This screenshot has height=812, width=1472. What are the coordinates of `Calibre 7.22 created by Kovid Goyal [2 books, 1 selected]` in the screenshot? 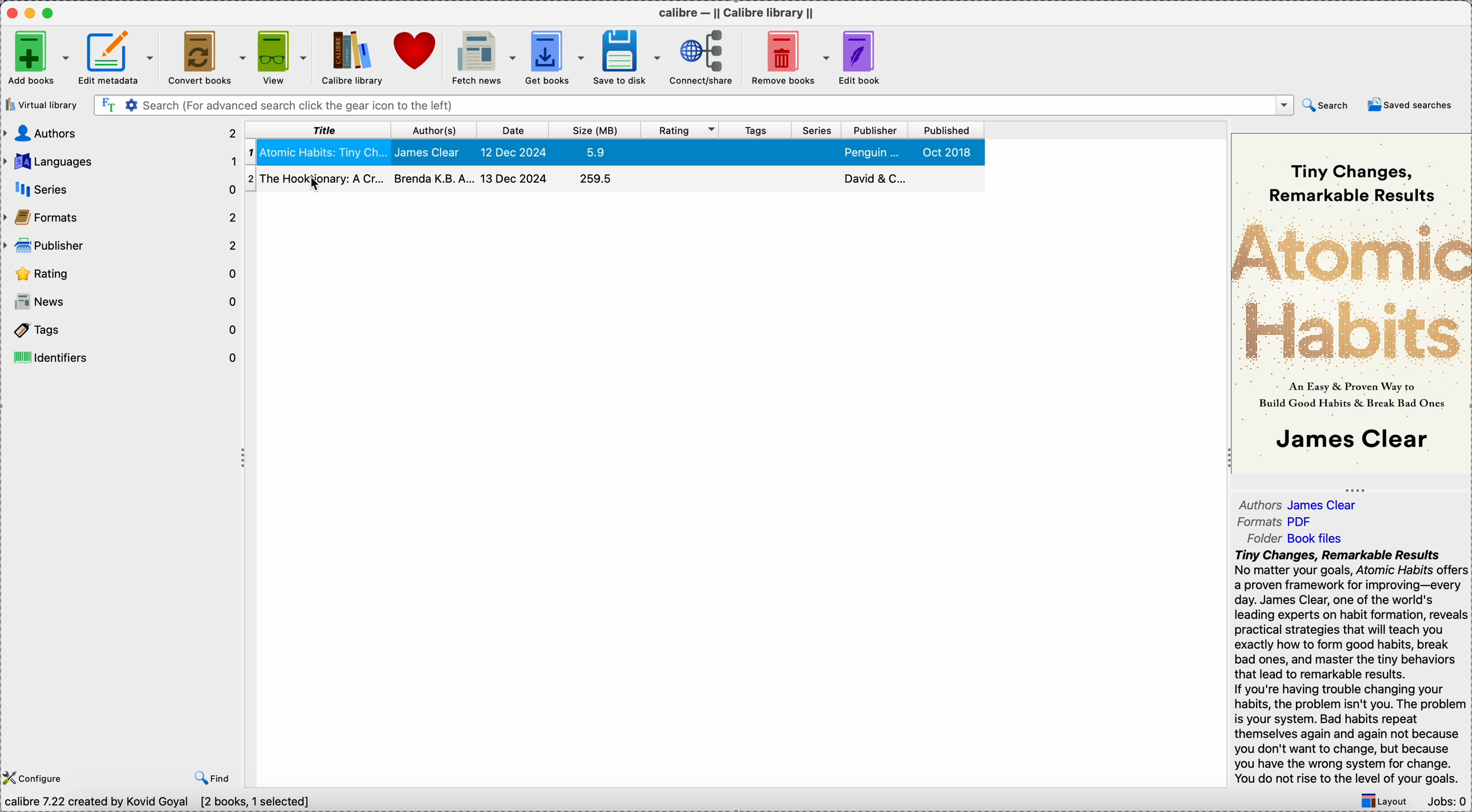 It's located at (158, 802).